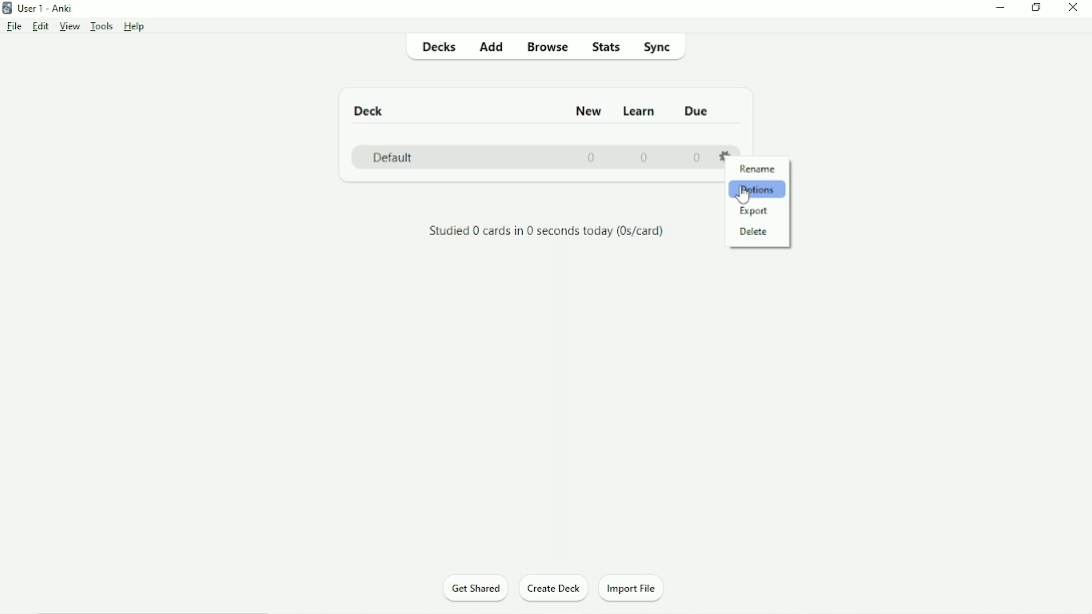  I want to click on Due, so click(697, 109).